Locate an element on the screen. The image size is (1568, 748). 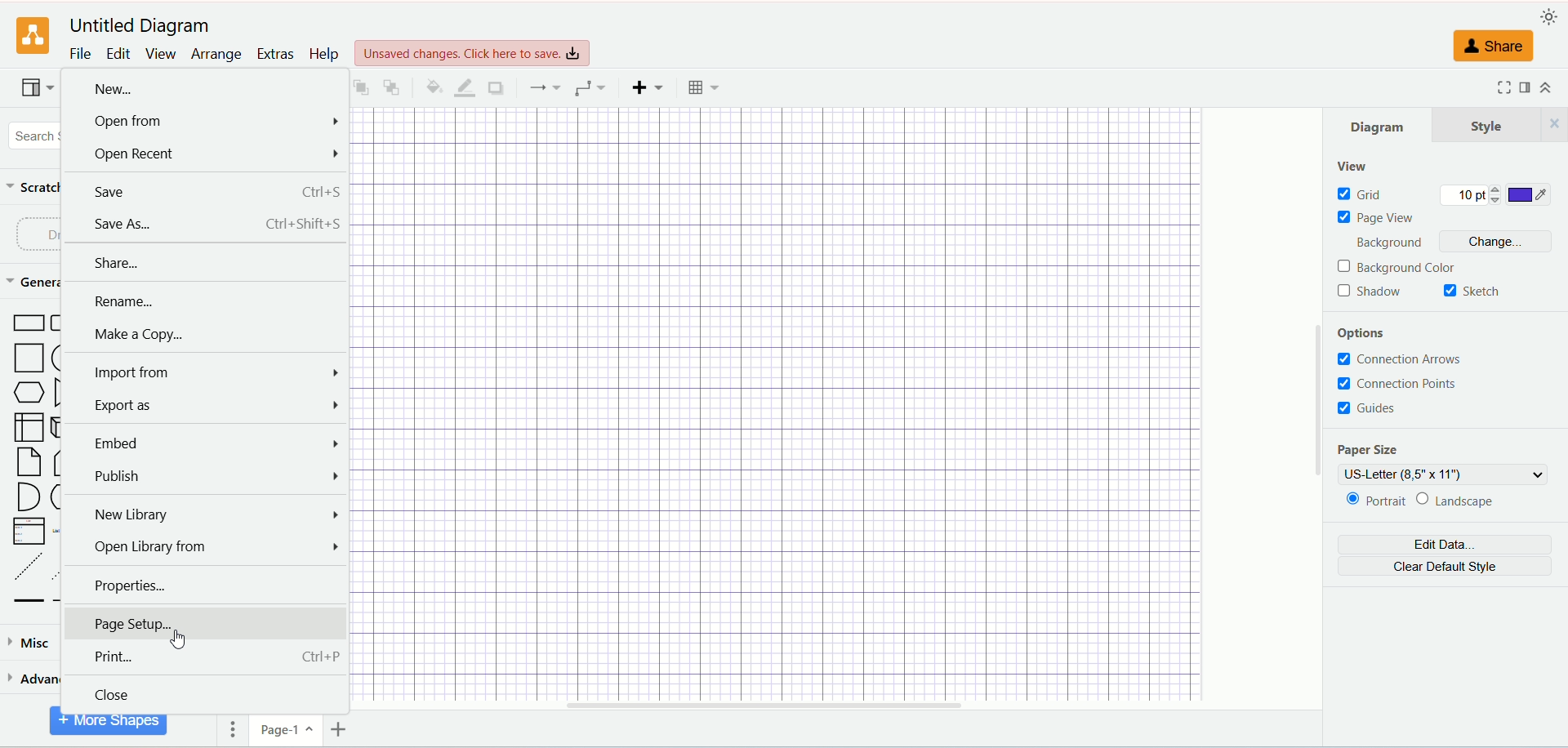
arrange is located at coordinates (216, 55).